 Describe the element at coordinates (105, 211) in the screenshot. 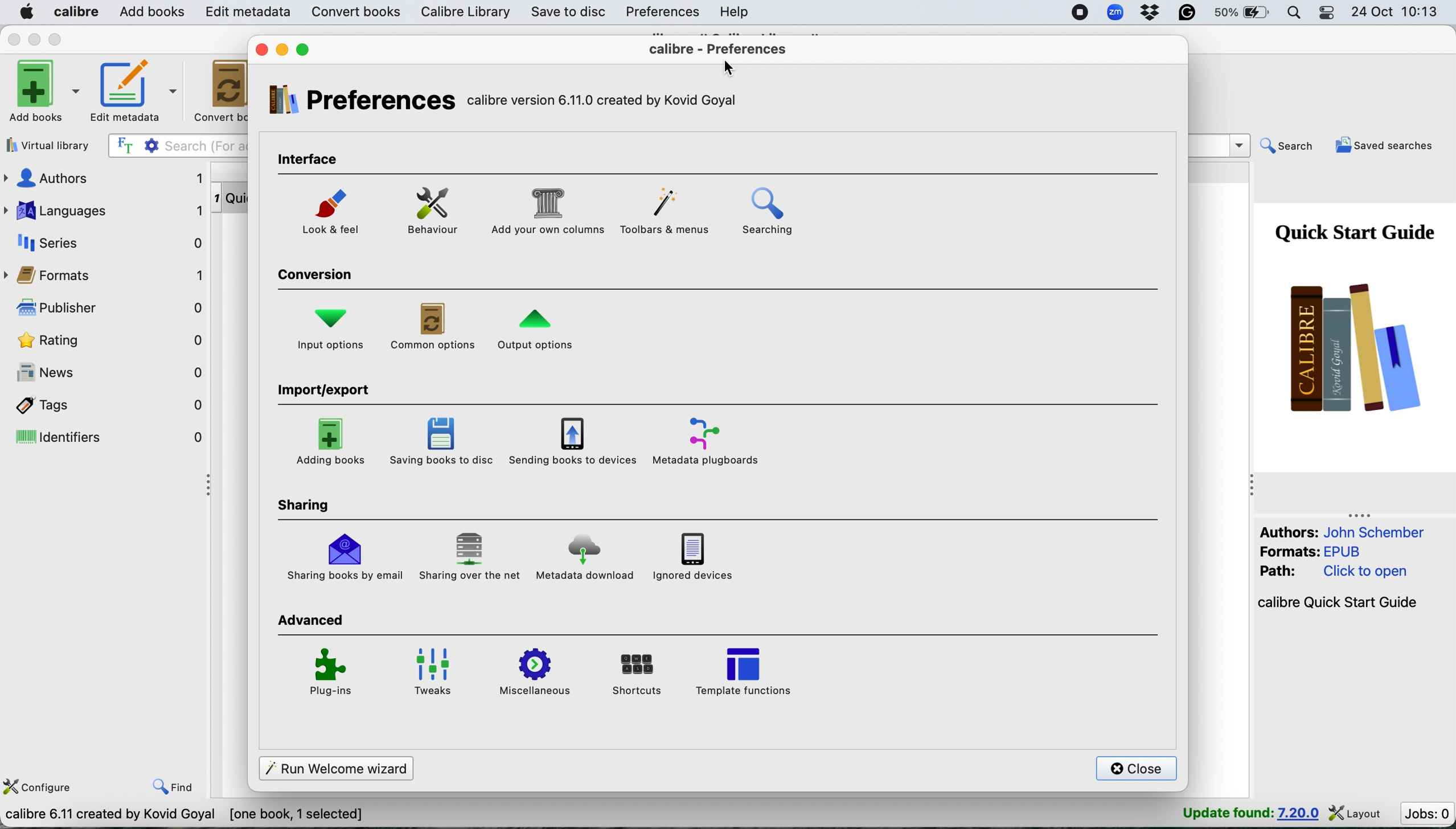

I see `languages` at that location.